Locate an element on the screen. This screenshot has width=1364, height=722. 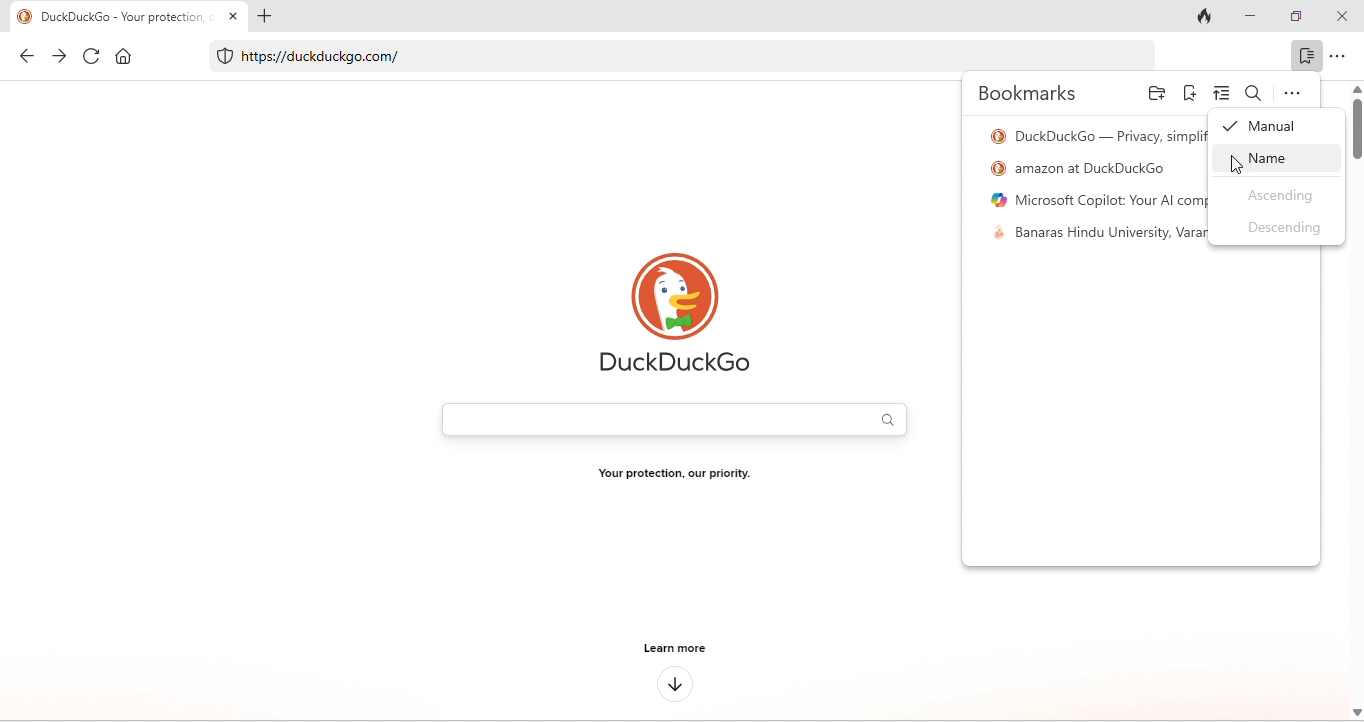
bookmark is located at coordinates (1308, 57).